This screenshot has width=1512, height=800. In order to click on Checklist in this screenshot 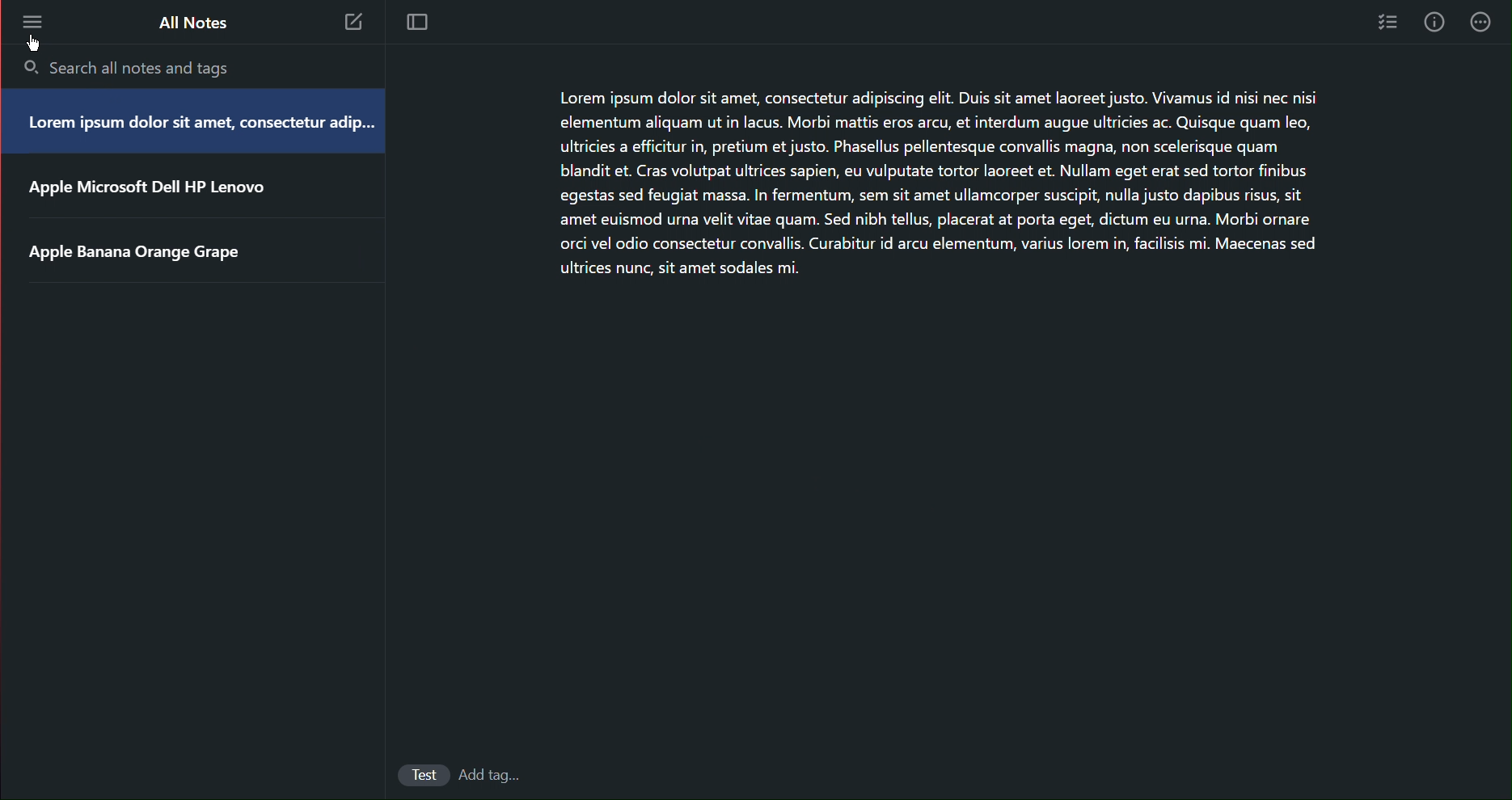, I will do `click(1386, 23)`.